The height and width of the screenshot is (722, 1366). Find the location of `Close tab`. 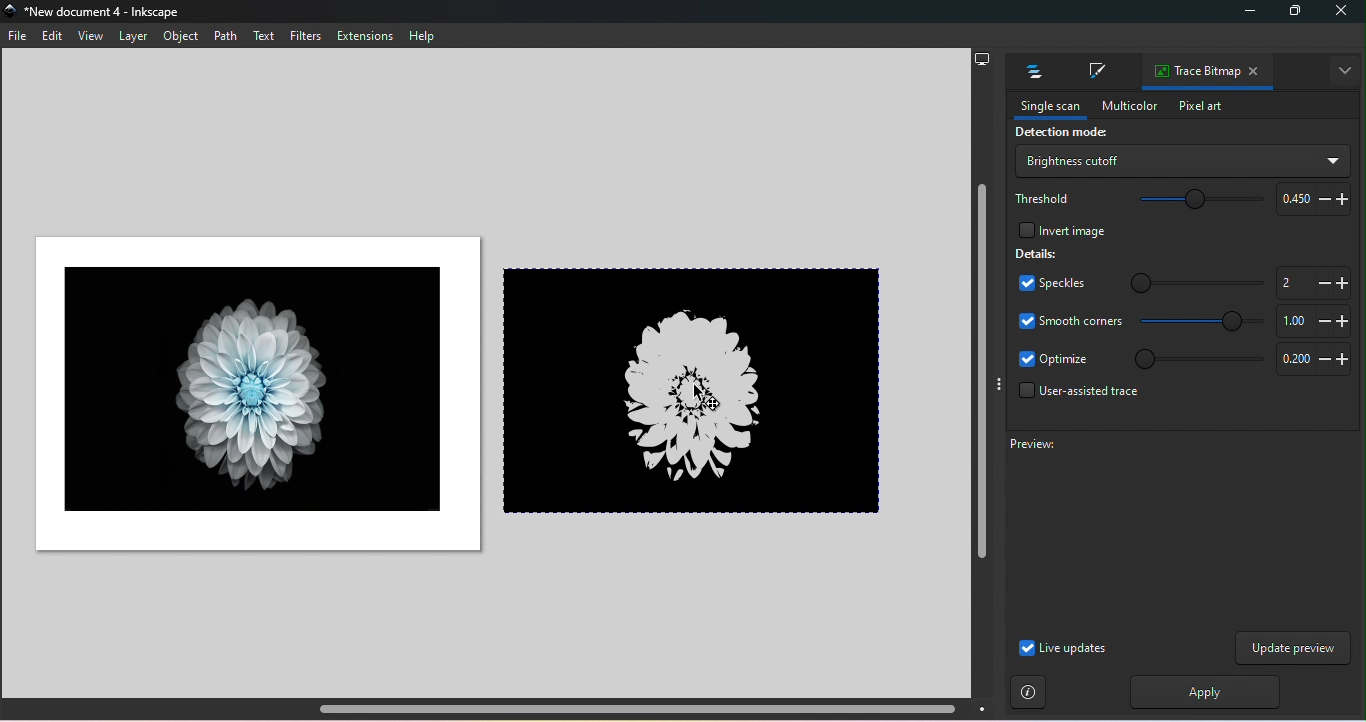

Close tab is located at coordinates (1255, 72).